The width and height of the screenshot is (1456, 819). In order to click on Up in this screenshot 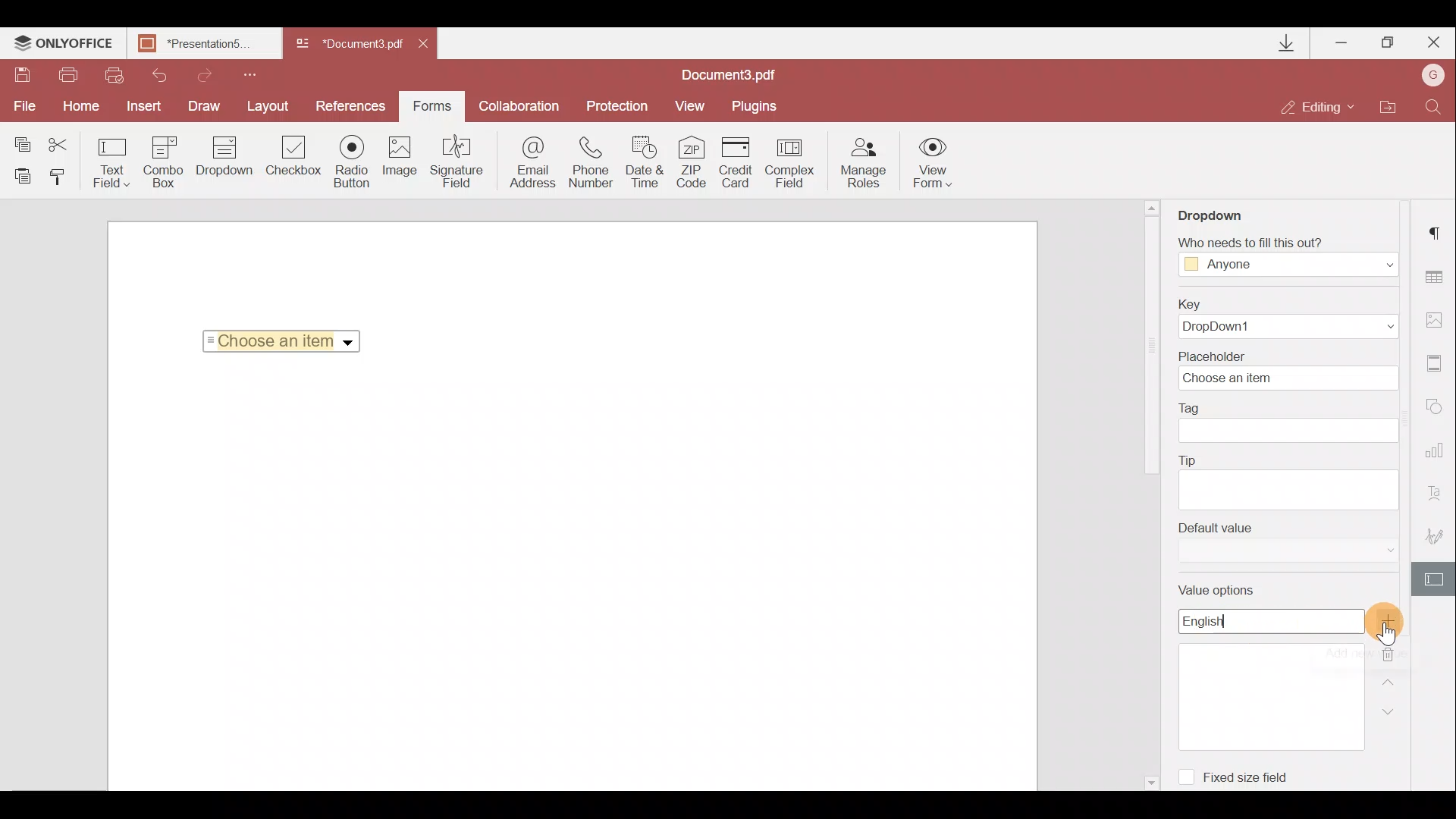, I will do `click(1392, 680)`.